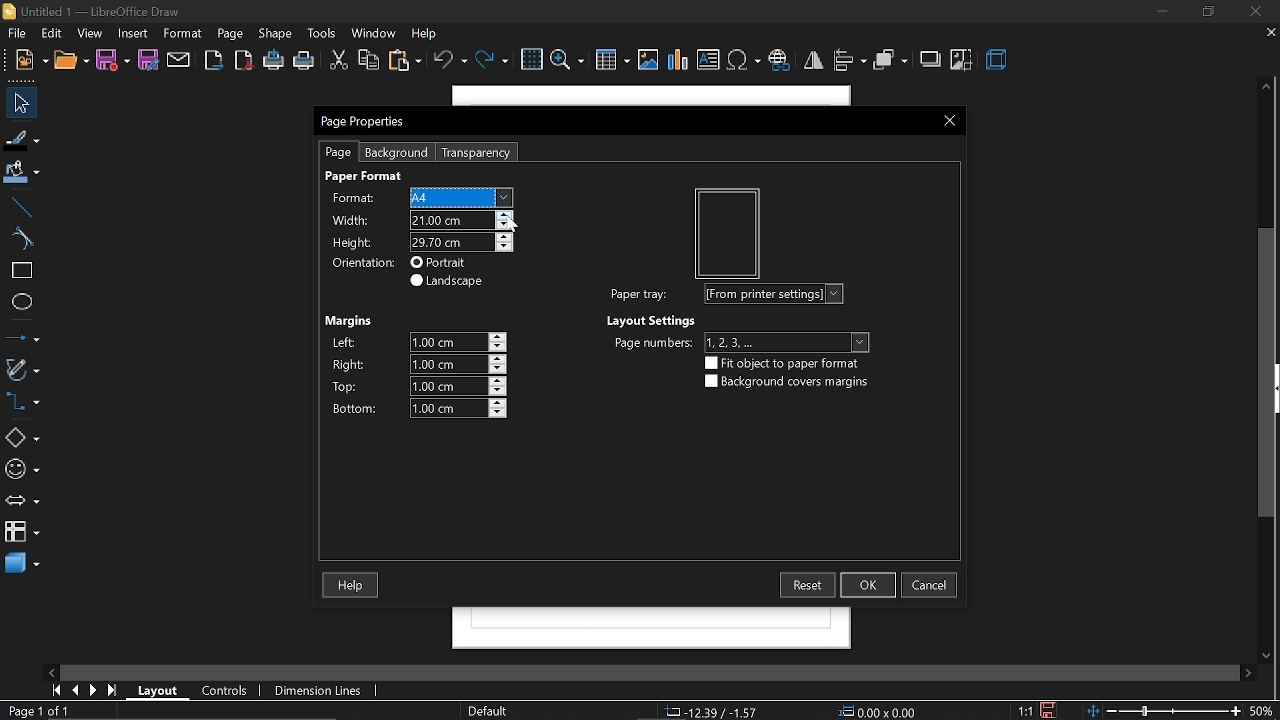  What do you see at coordinates (460, 242) in the screenshot?
I see `29.70 cm` at bounding box center [460, 242].